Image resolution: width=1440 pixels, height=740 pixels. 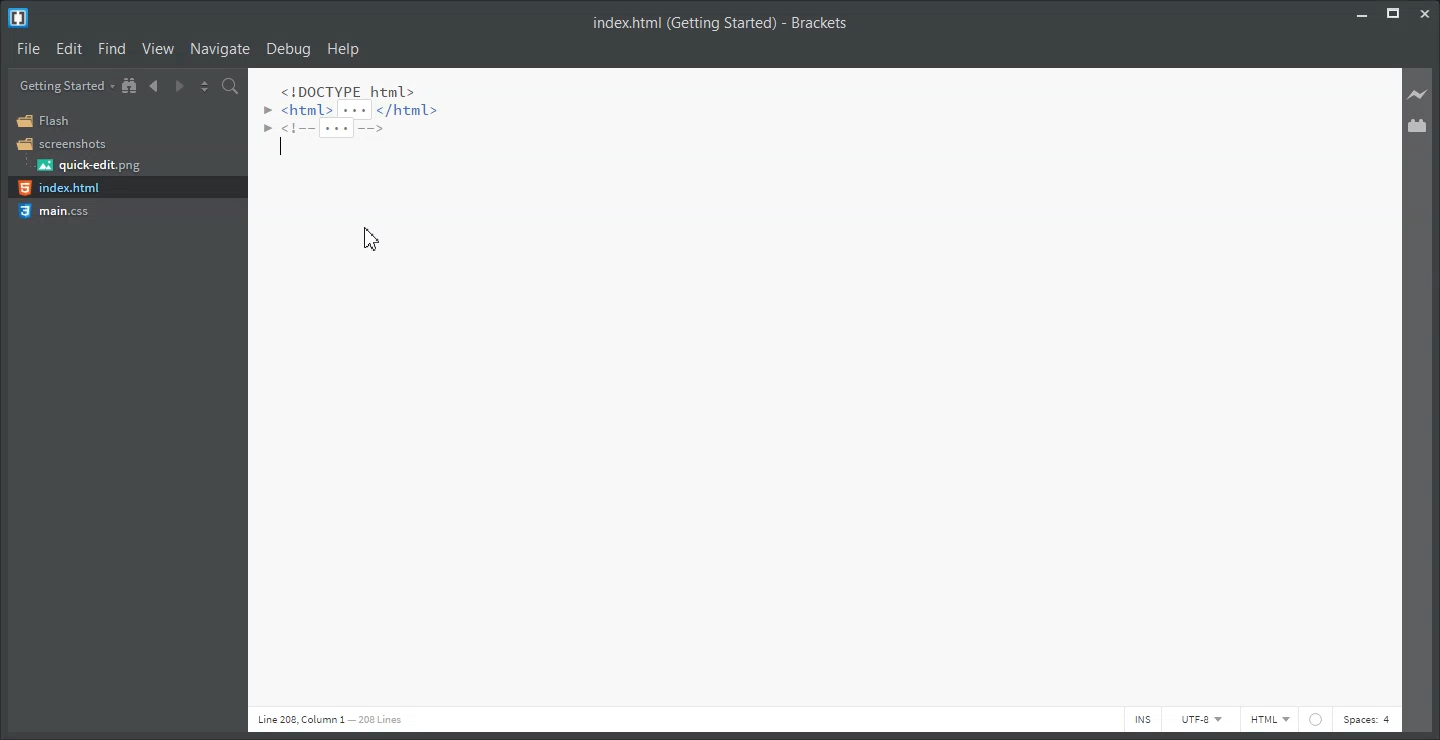 I want to click on File, so click(x=29, y=48).